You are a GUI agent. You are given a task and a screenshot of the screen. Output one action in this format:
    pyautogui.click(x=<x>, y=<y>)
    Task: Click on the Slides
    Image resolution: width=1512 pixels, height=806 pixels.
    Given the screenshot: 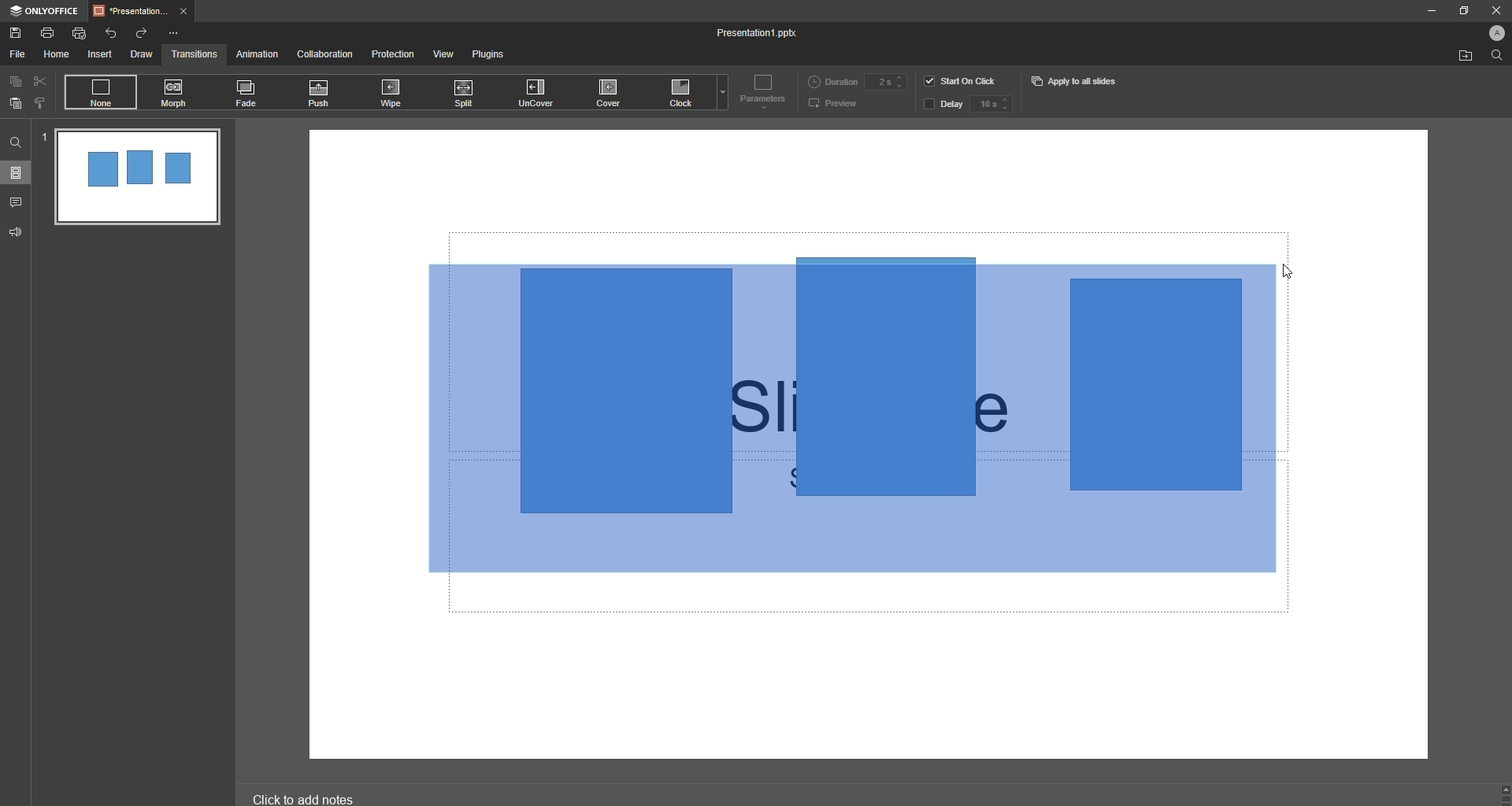 What is the action you would take?
    pyautogui.click(x=20, y=173)
    